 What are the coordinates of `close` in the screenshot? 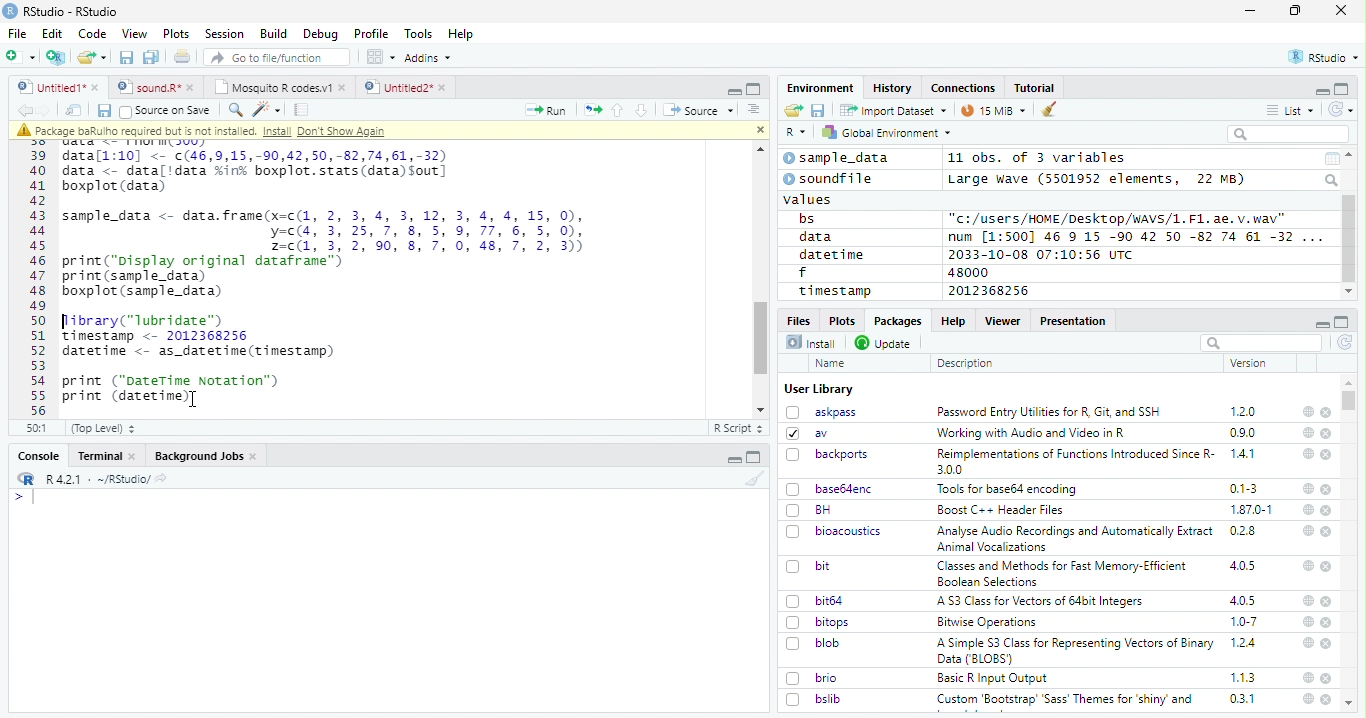 It's located at (1328, 510).